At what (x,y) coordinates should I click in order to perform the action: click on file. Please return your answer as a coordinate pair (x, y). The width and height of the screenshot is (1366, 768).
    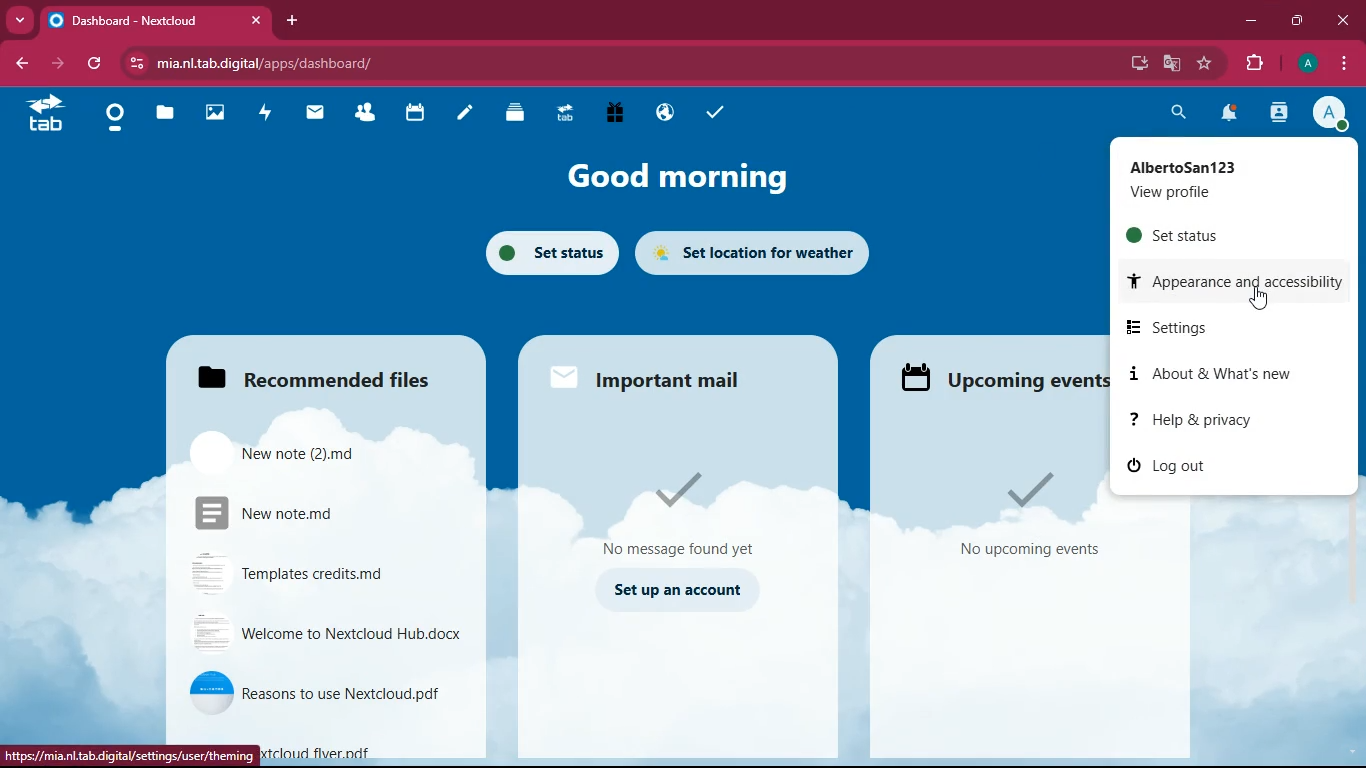
    Looking at the image, I should click on (318, 569).